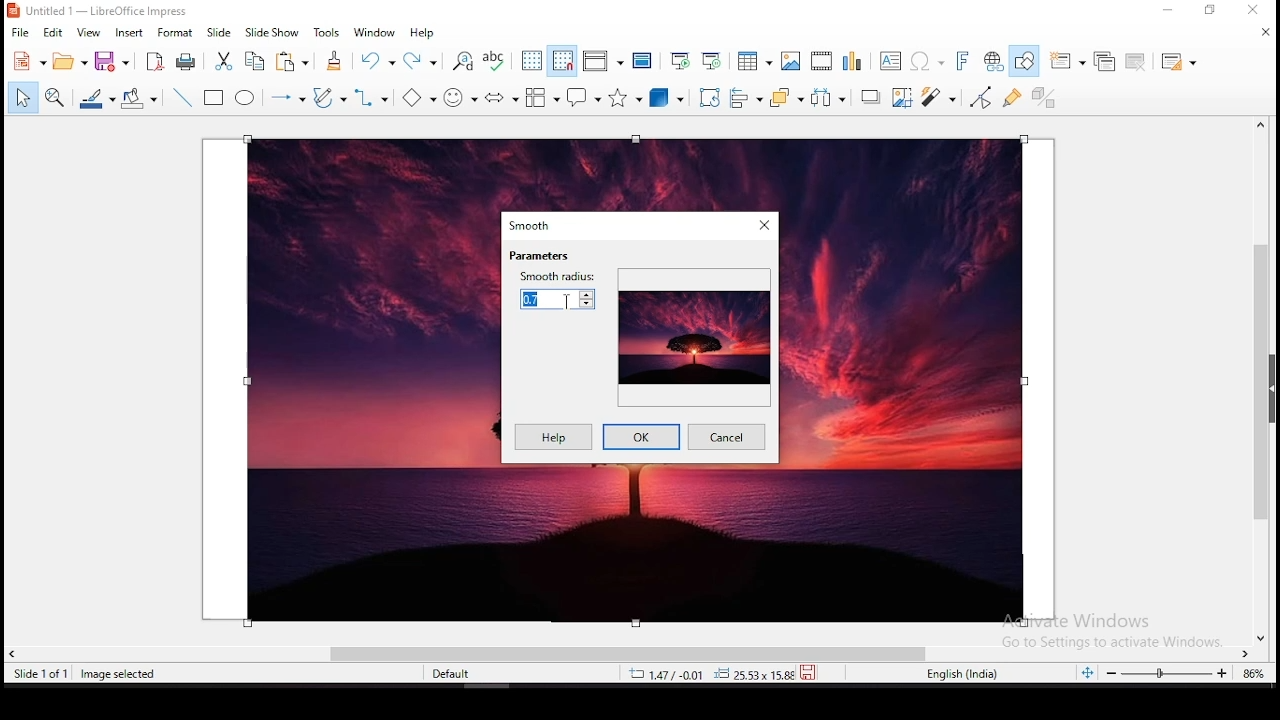 This screenshot has width=1280, height=720. What do you see at coordinates (1251, 676) in the screenshot?
I see `current zoom level` at bounding box center [1251, 676].